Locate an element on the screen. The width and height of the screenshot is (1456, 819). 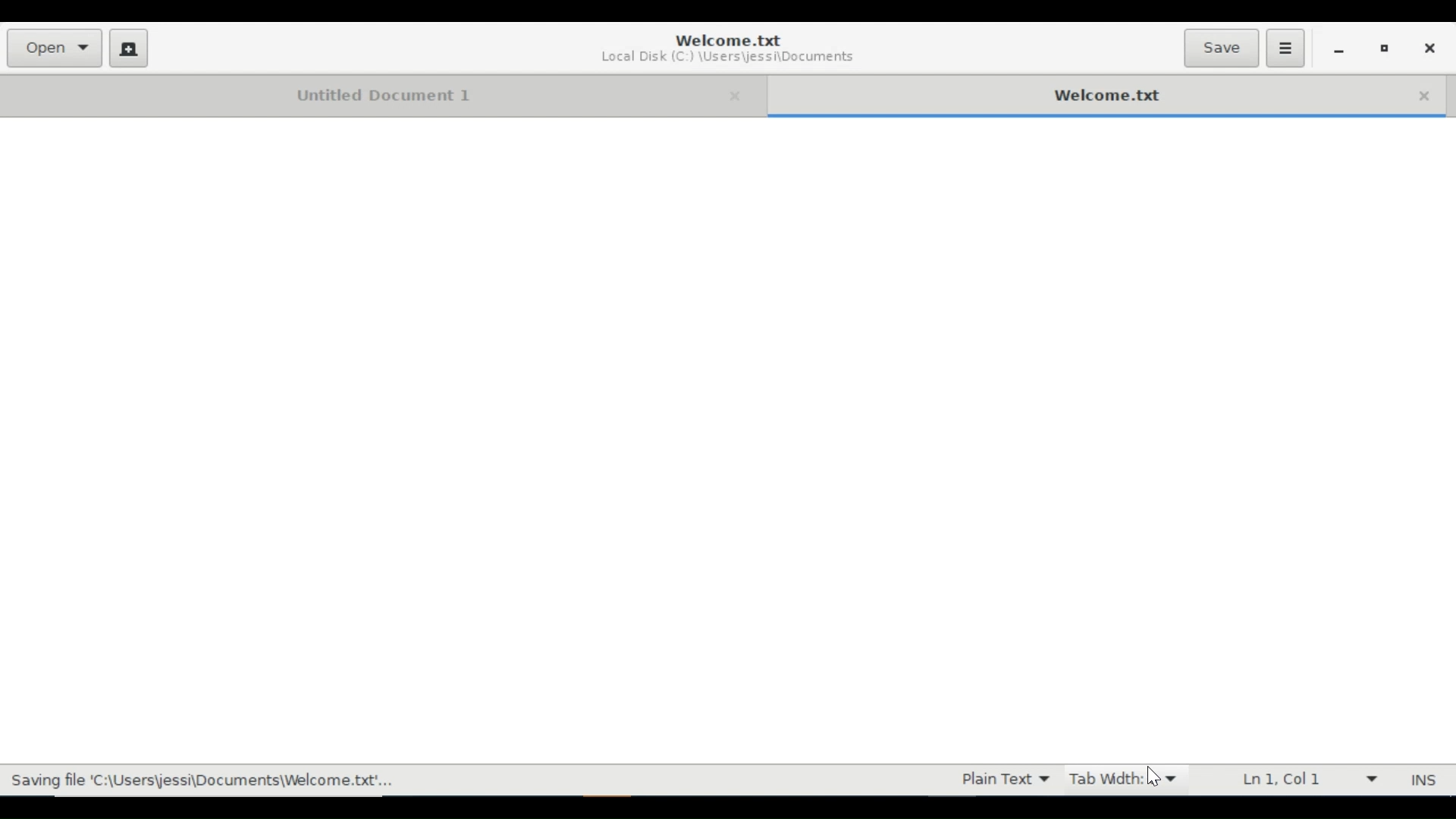
restore is located at coordinates (1386, 49).